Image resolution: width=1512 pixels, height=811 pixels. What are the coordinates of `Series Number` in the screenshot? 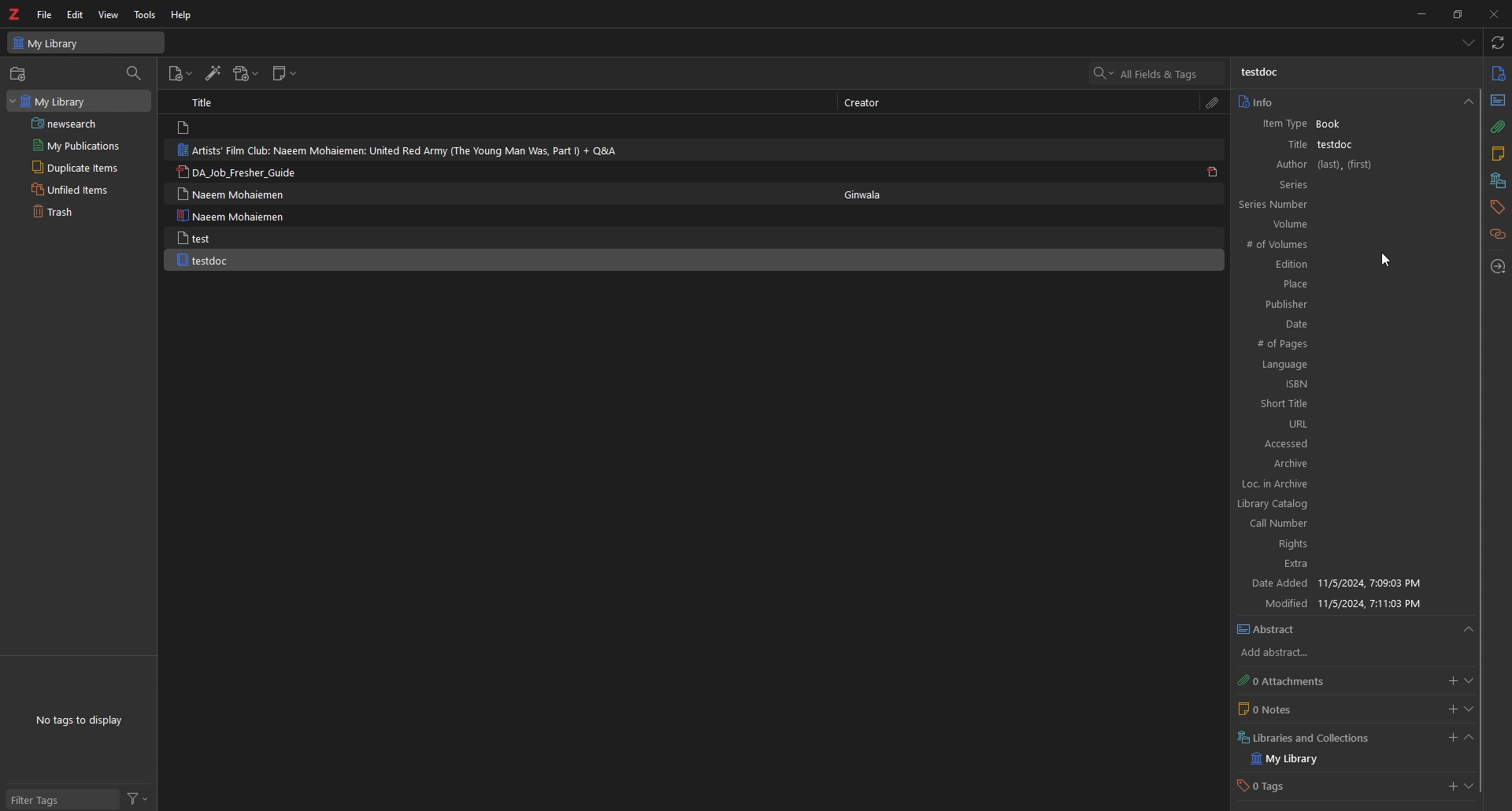 It's located at (1350, 206).